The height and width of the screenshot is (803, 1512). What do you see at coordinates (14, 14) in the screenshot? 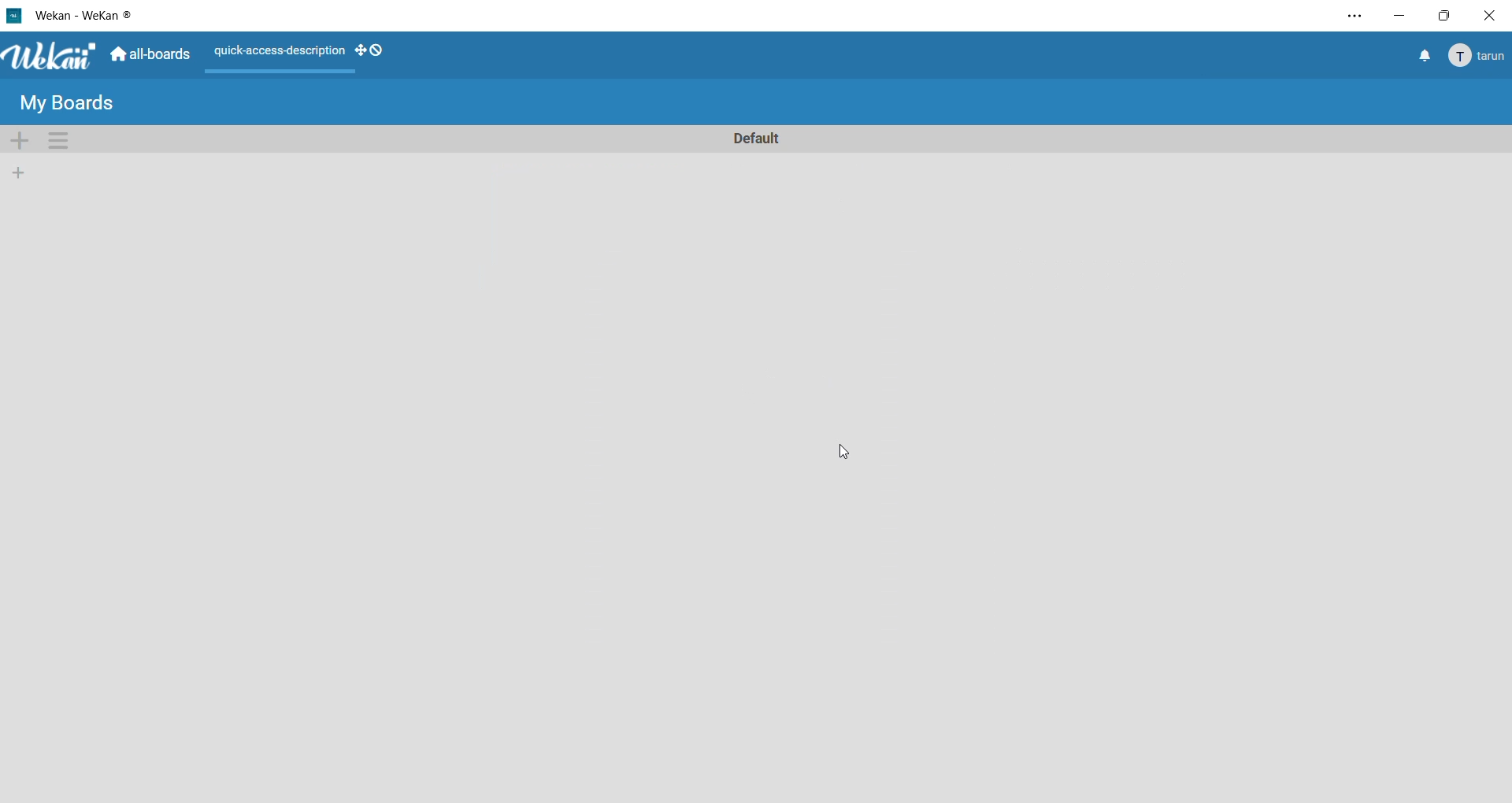
I see `wekan logo` at bounding box center [14, 14].